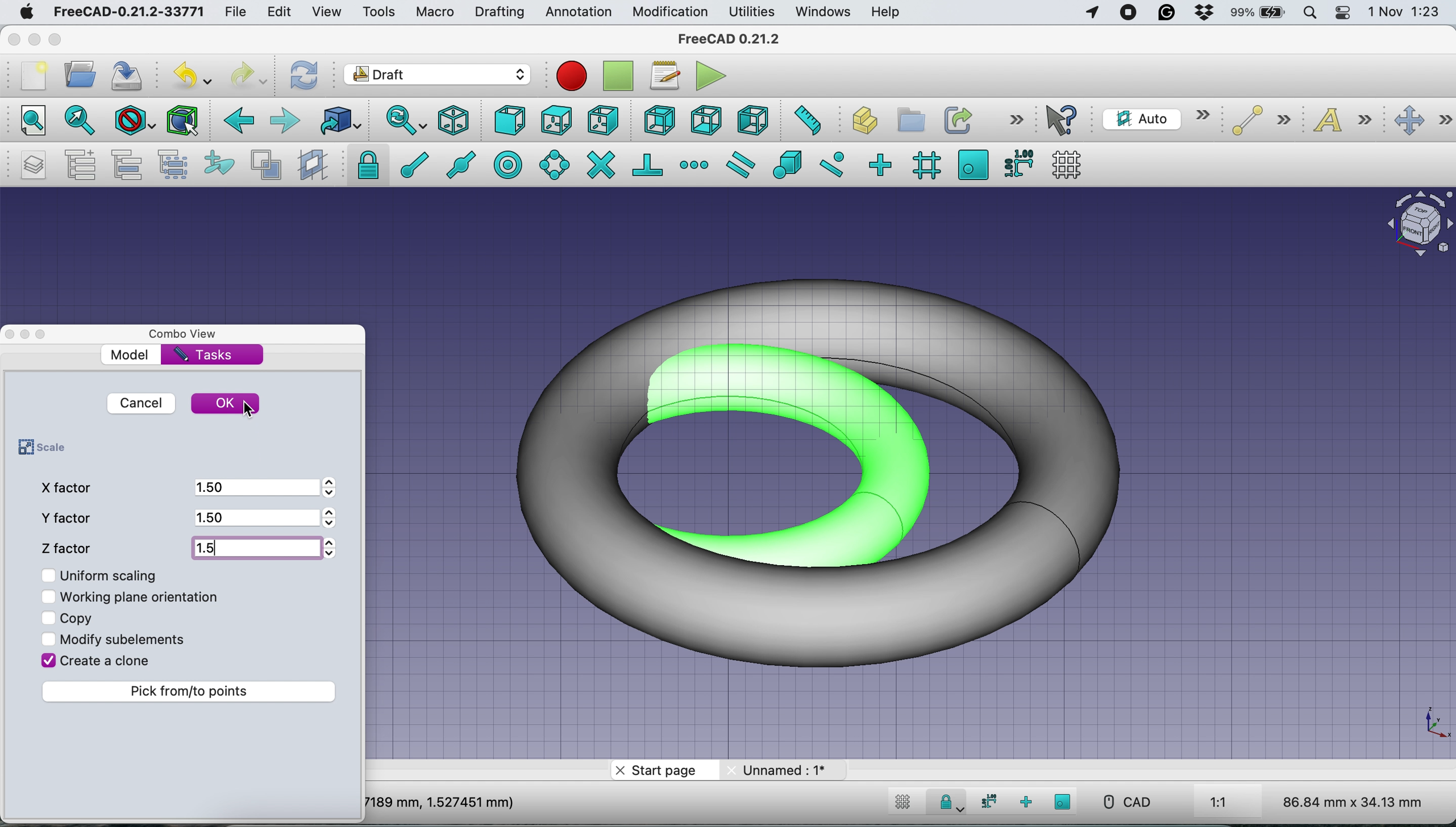  Describe the element at coordinates (1017, 163) in the screenshot. I see `snap dimensions` at that location.